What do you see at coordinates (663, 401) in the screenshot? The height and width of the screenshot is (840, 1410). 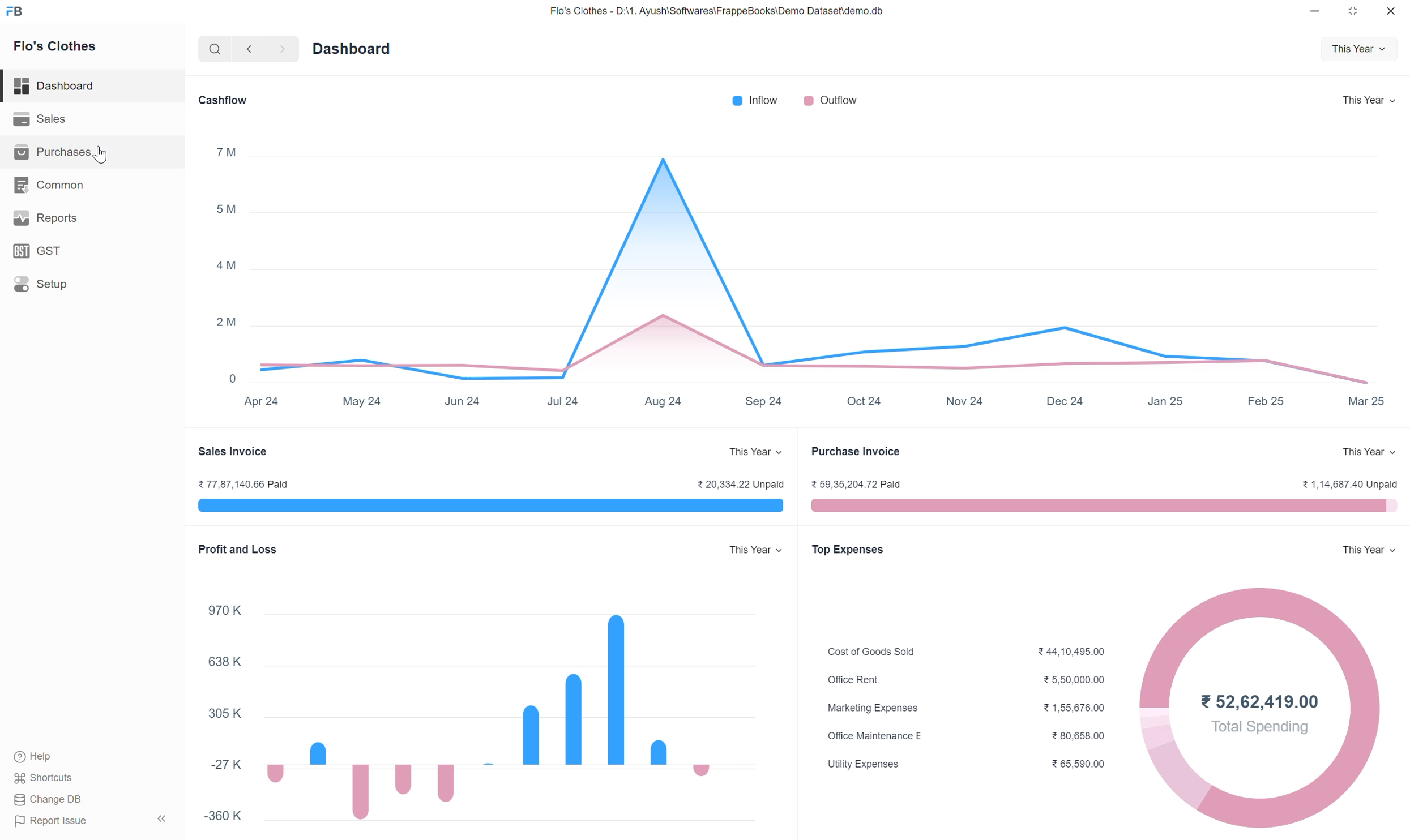 I see `aug 24` at bounding box center [663, 401].